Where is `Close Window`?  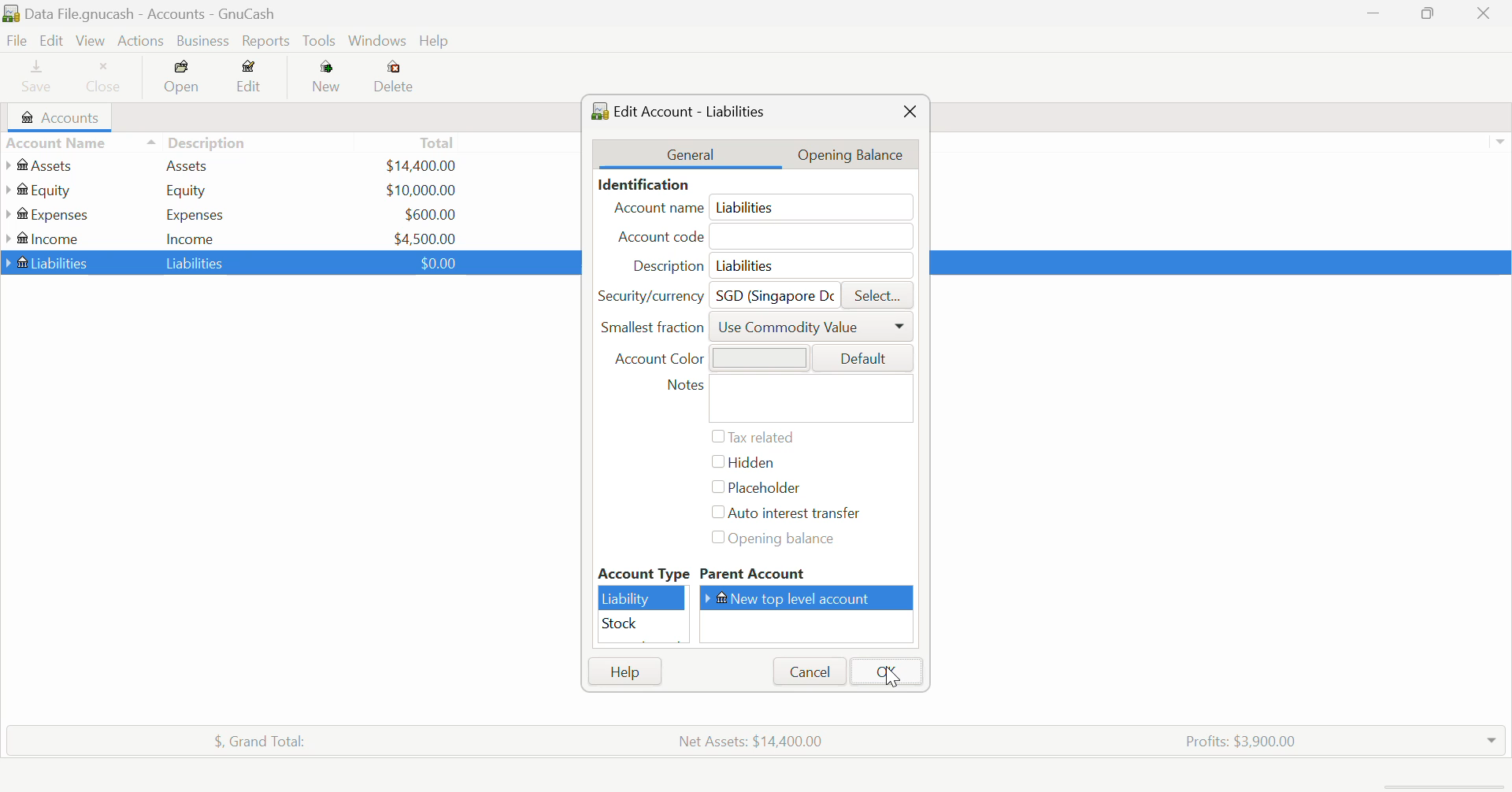
Close Window is located at coordinates (1488, 13).